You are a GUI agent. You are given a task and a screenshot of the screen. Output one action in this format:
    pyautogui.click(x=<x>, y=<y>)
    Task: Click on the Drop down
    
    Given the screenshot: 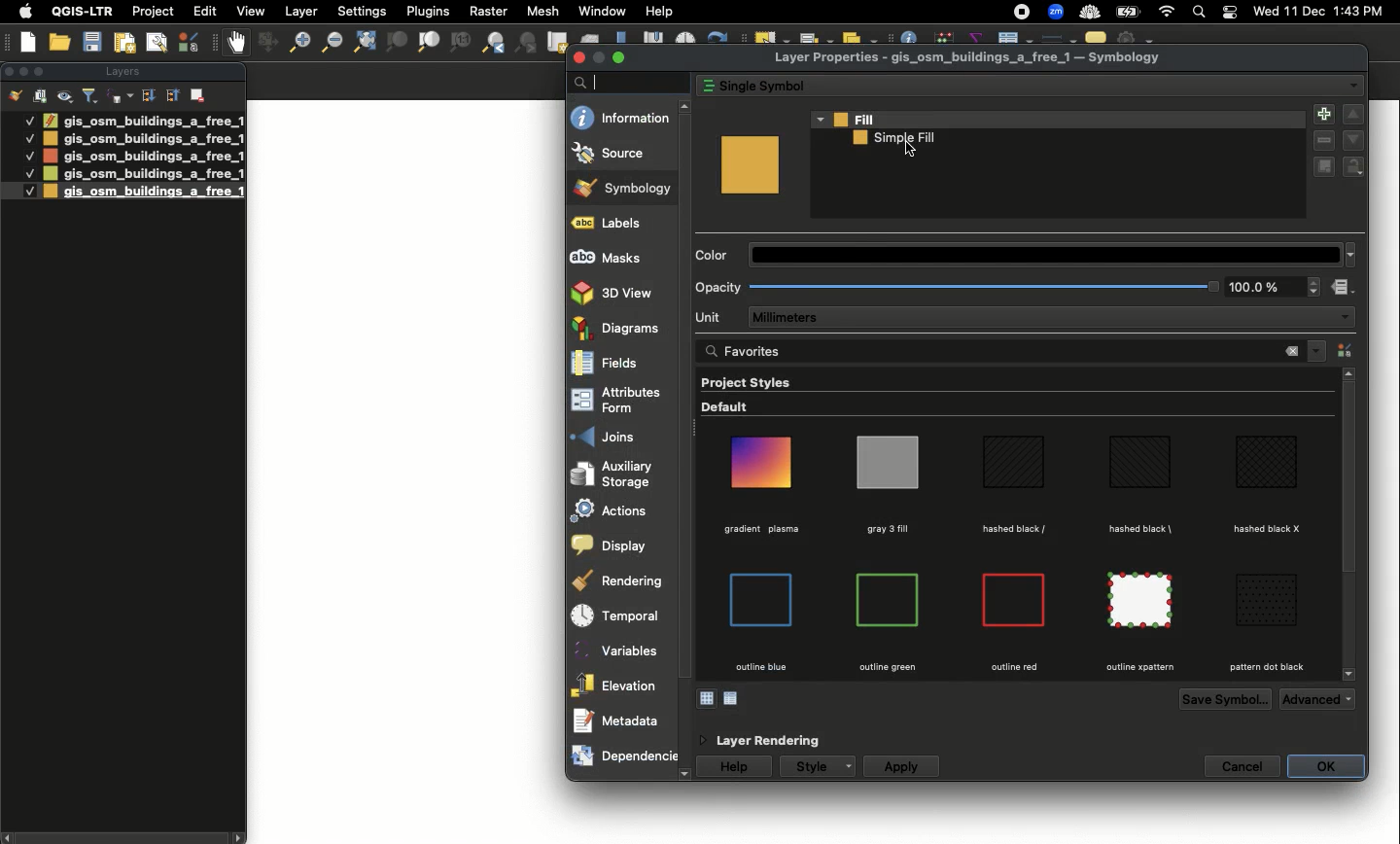 What is the action you would take?
    pyautogui.click(x=1318, y=351)
    